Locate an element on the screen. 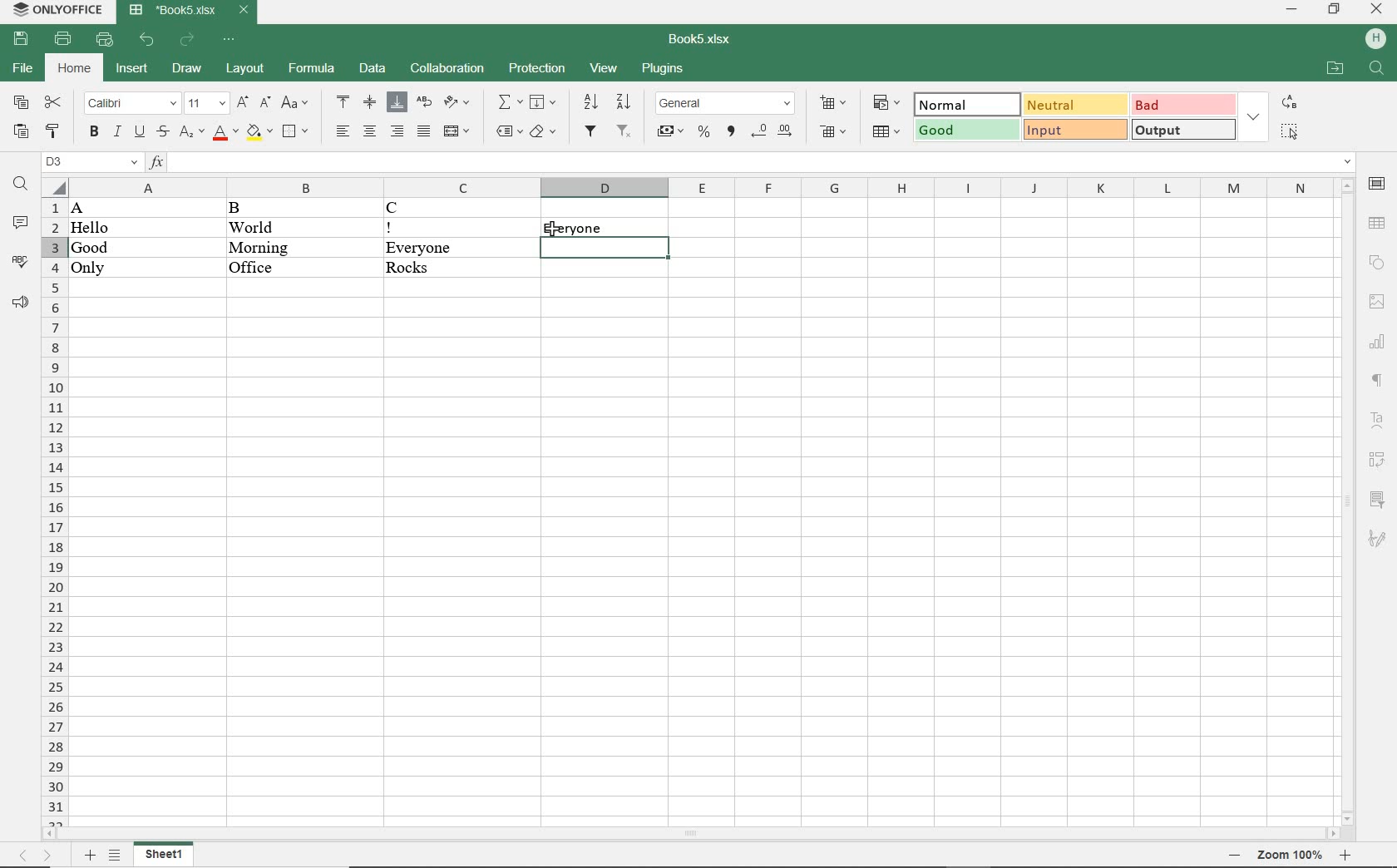 This screenshot has height=868, width=1397. ! is located at coordinates (442, 228).